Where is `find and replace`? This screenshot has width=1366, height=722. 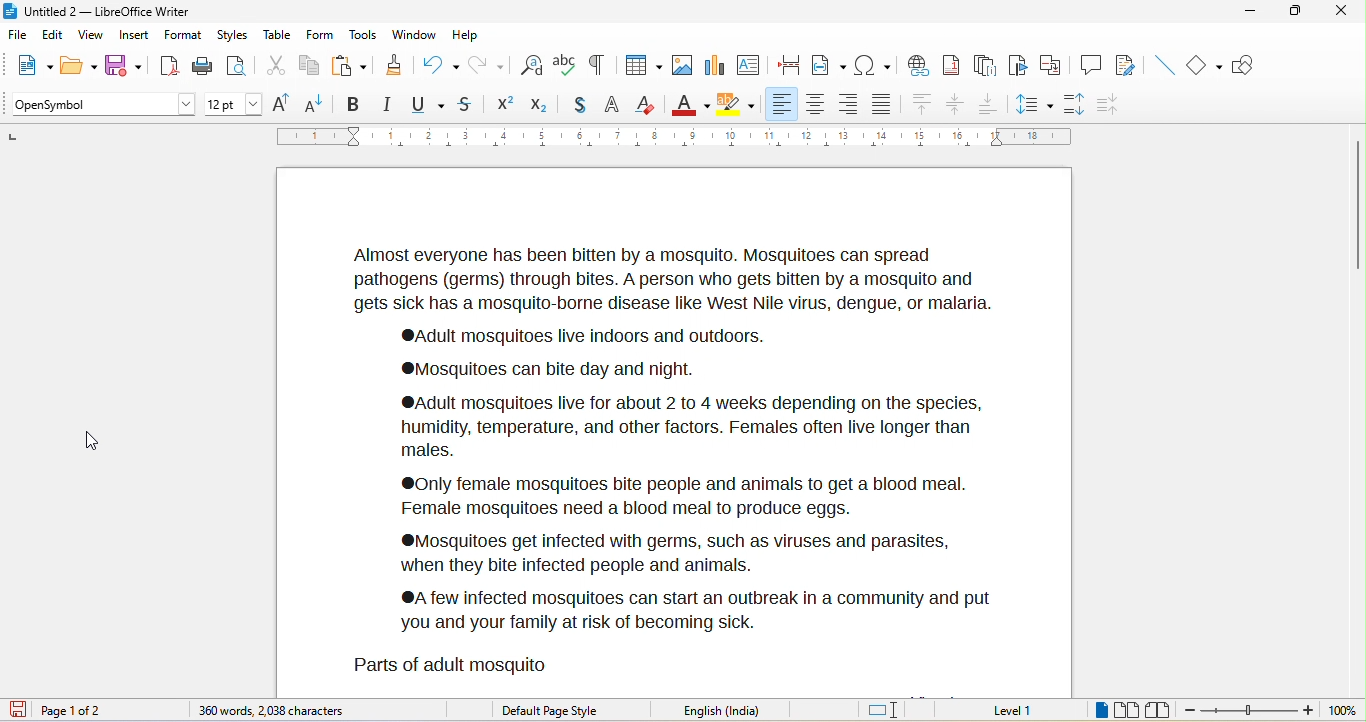
find and replace is located at coordinates (531, 67).